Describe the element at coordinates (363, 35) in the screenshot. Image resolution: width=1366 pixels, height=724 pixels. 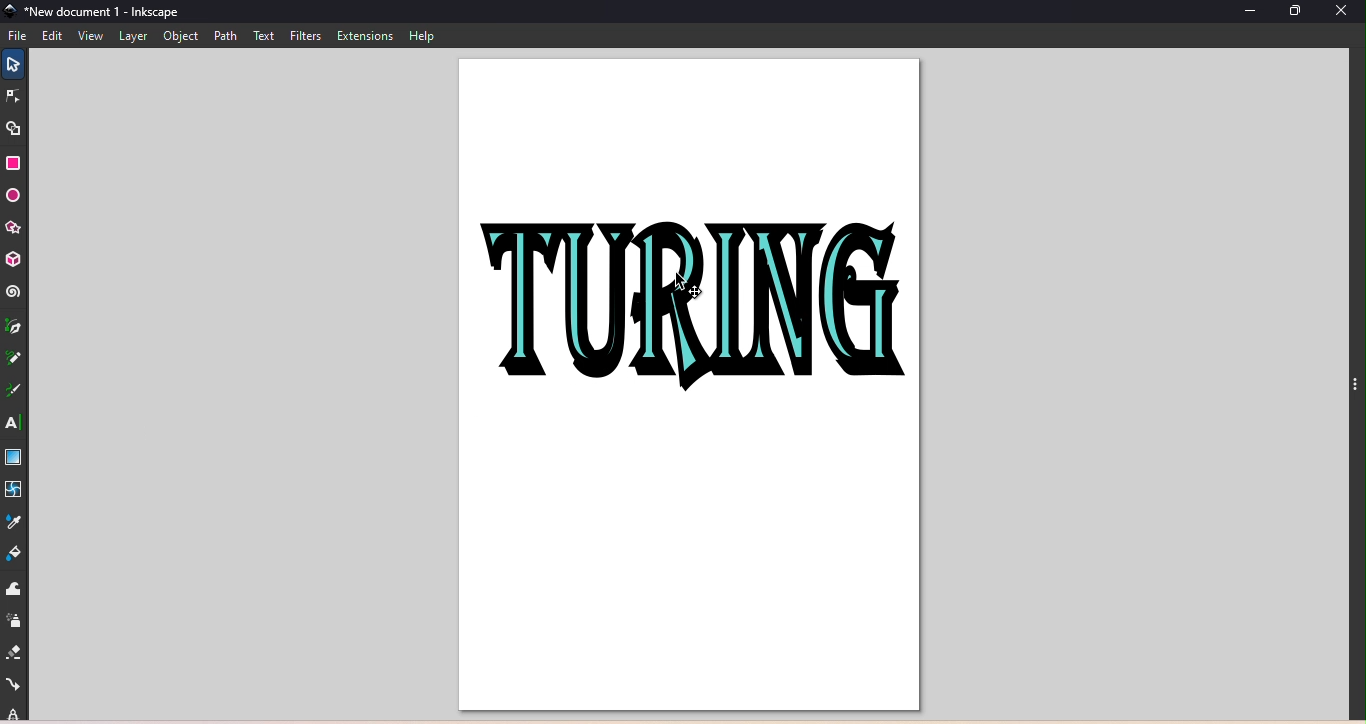
I see `Extensions` at that location.